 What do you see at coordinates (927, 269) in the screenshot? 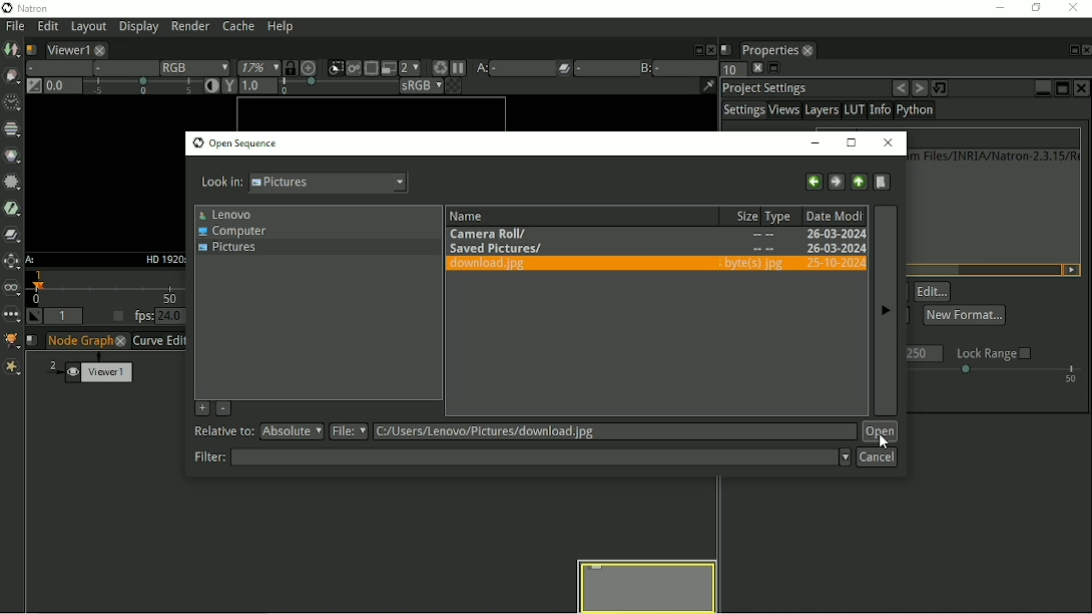
I see `Horizontal scrollbar` at bounding box center [927, 269].